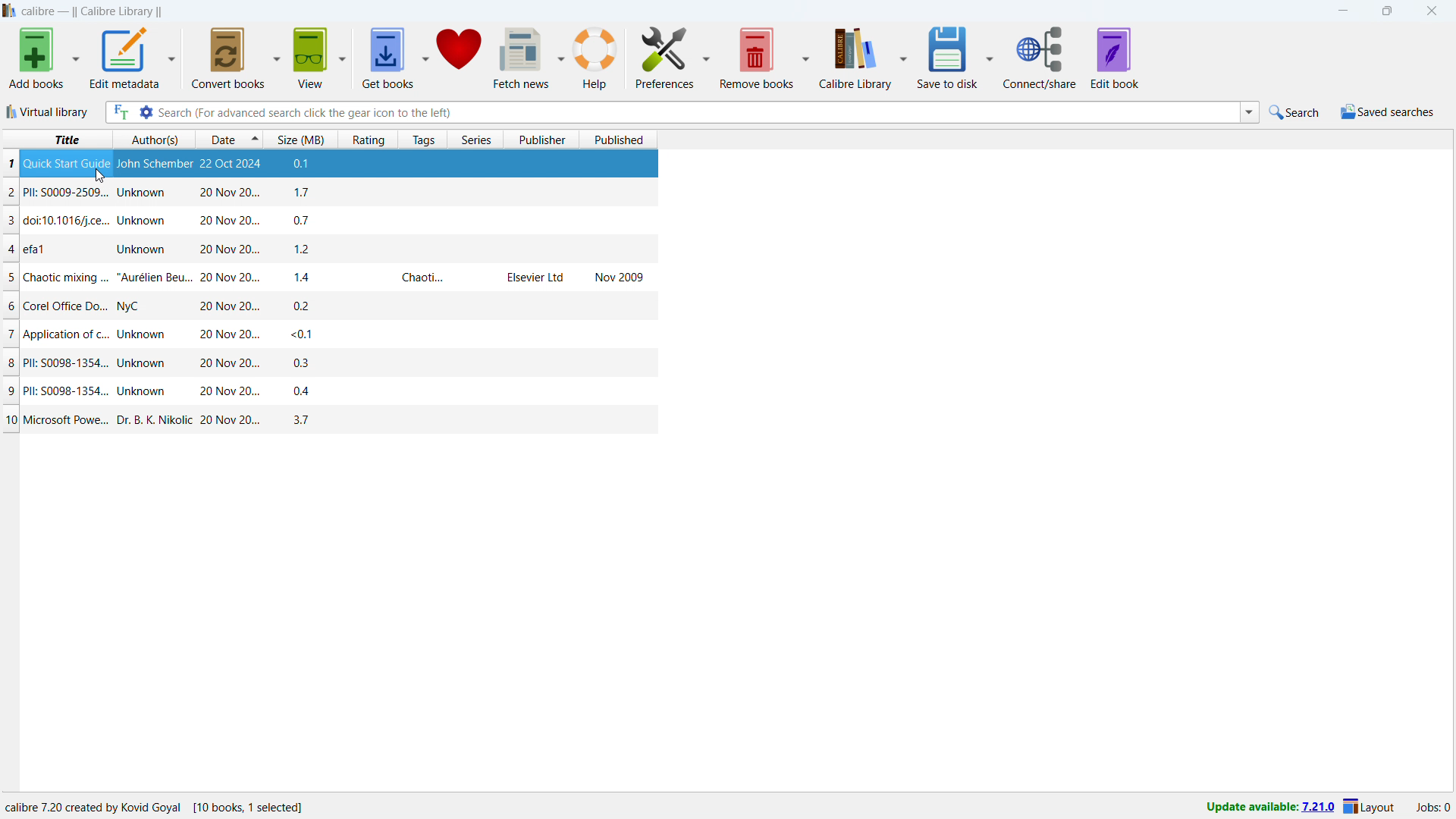 The width and height of the screenshot is (1456, 819). Describe the element at coordinates (1267, 808) in the screenshot. I see `uodate` at that location.